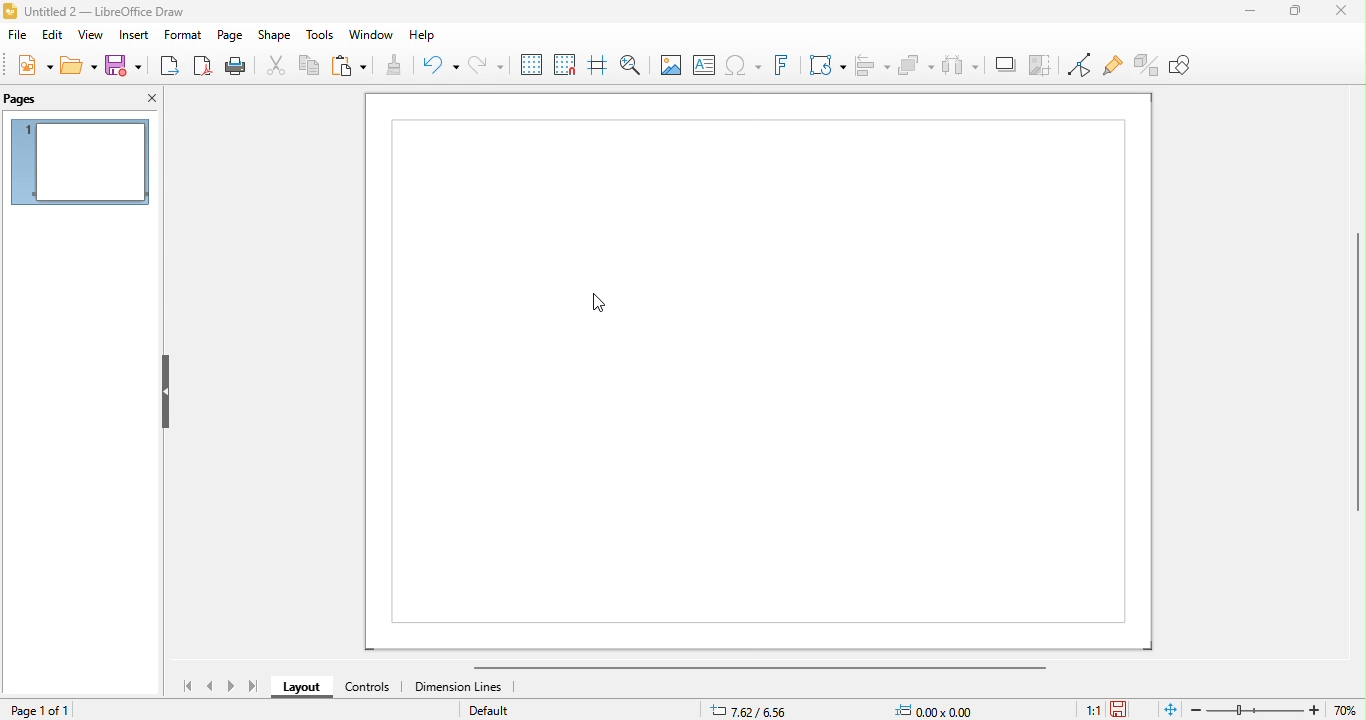 Image resolution: width=1366 pixels, height=720 pixels. I want to click on open, so click(79, 66).